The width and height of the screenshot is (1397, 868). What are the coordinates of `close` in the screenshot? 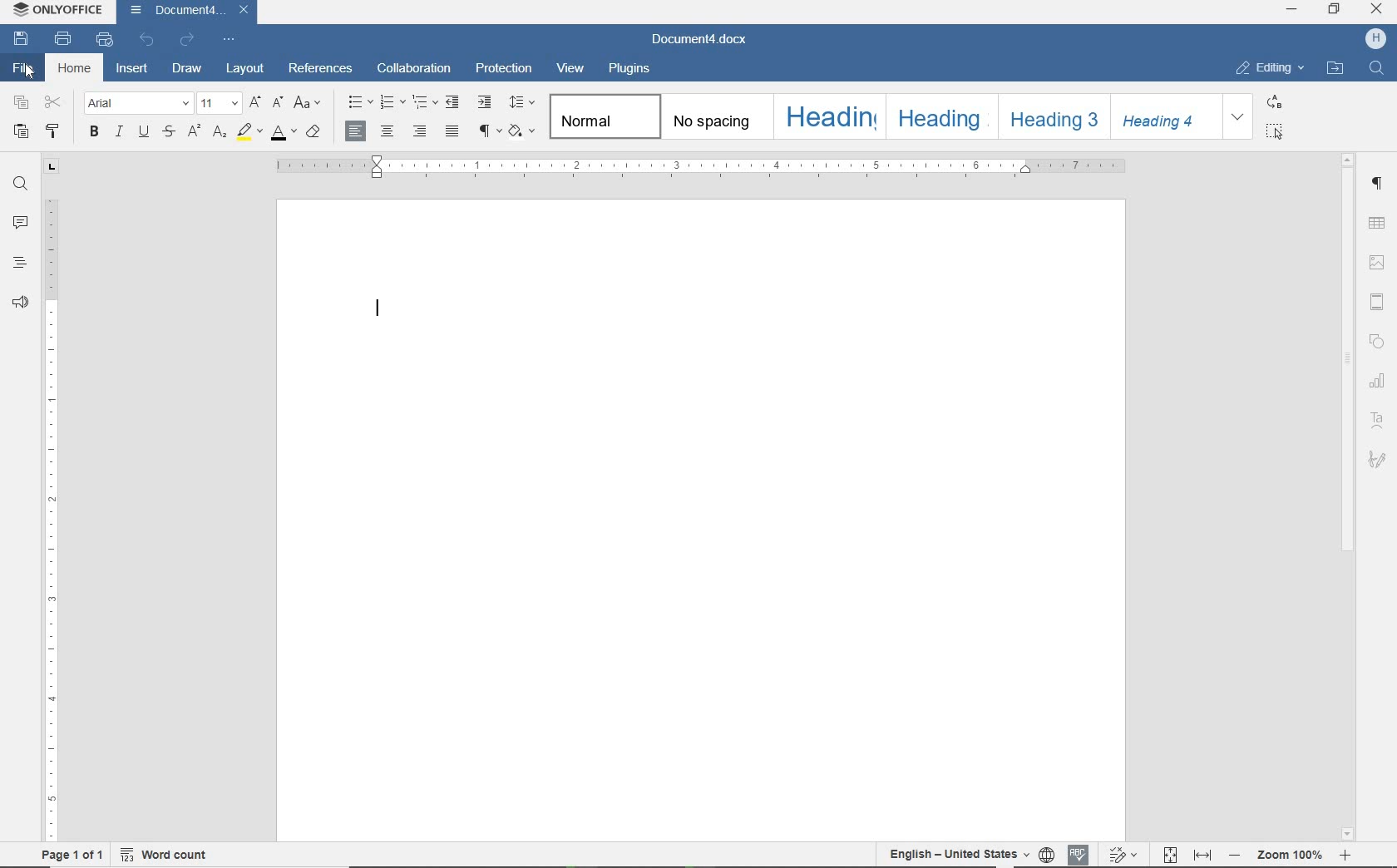 It's located at (1377, 8).